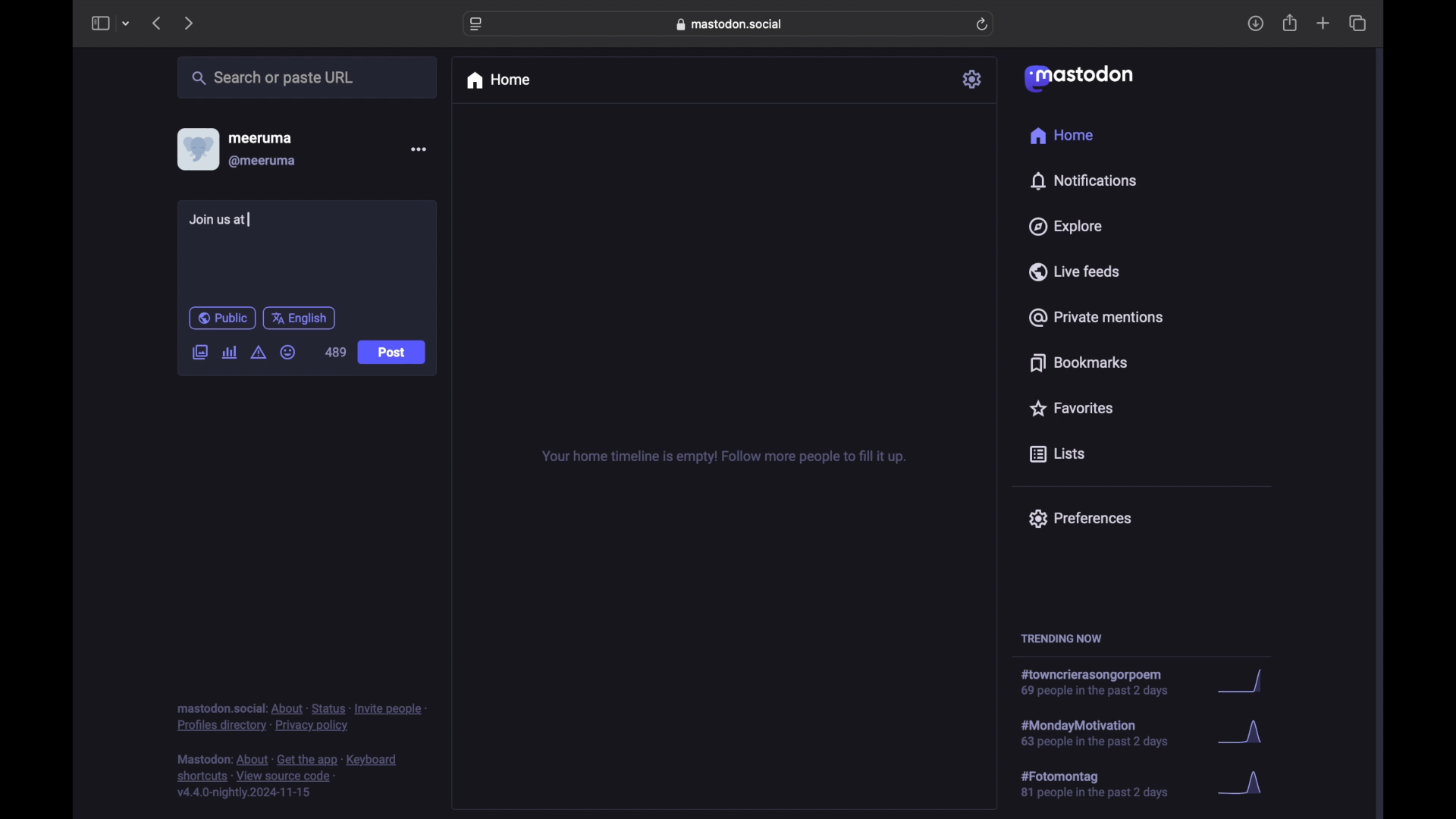 The height and width of the screenshot is (819, 1456). Describe the element at coordinates (497, 80) in the screenshot. I see `home` at that location.